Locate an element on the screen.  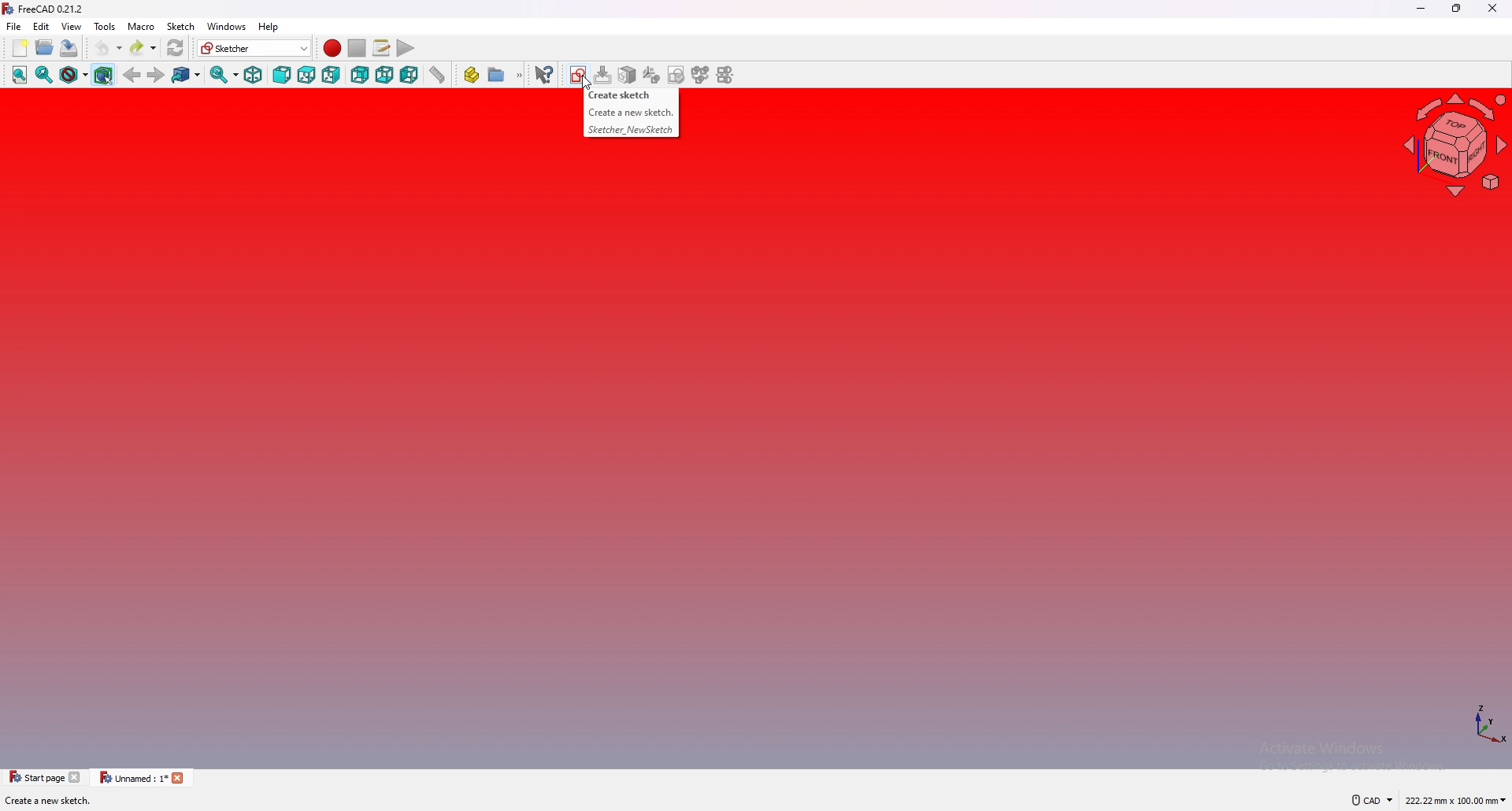
create group is located at coordinates (506, 76).